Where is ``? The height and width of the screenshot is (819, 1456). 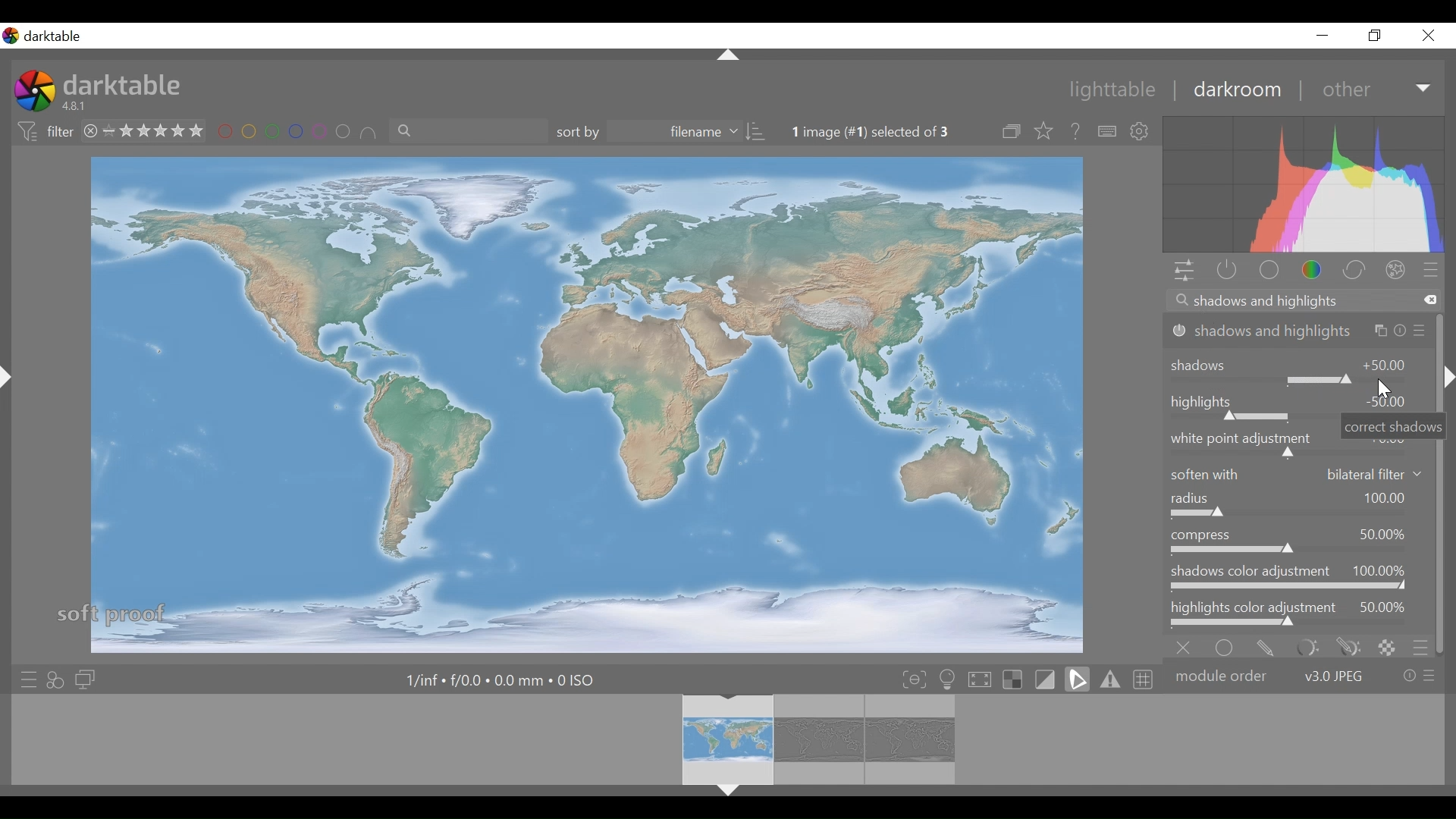
 is located at coordinates (733, 795).